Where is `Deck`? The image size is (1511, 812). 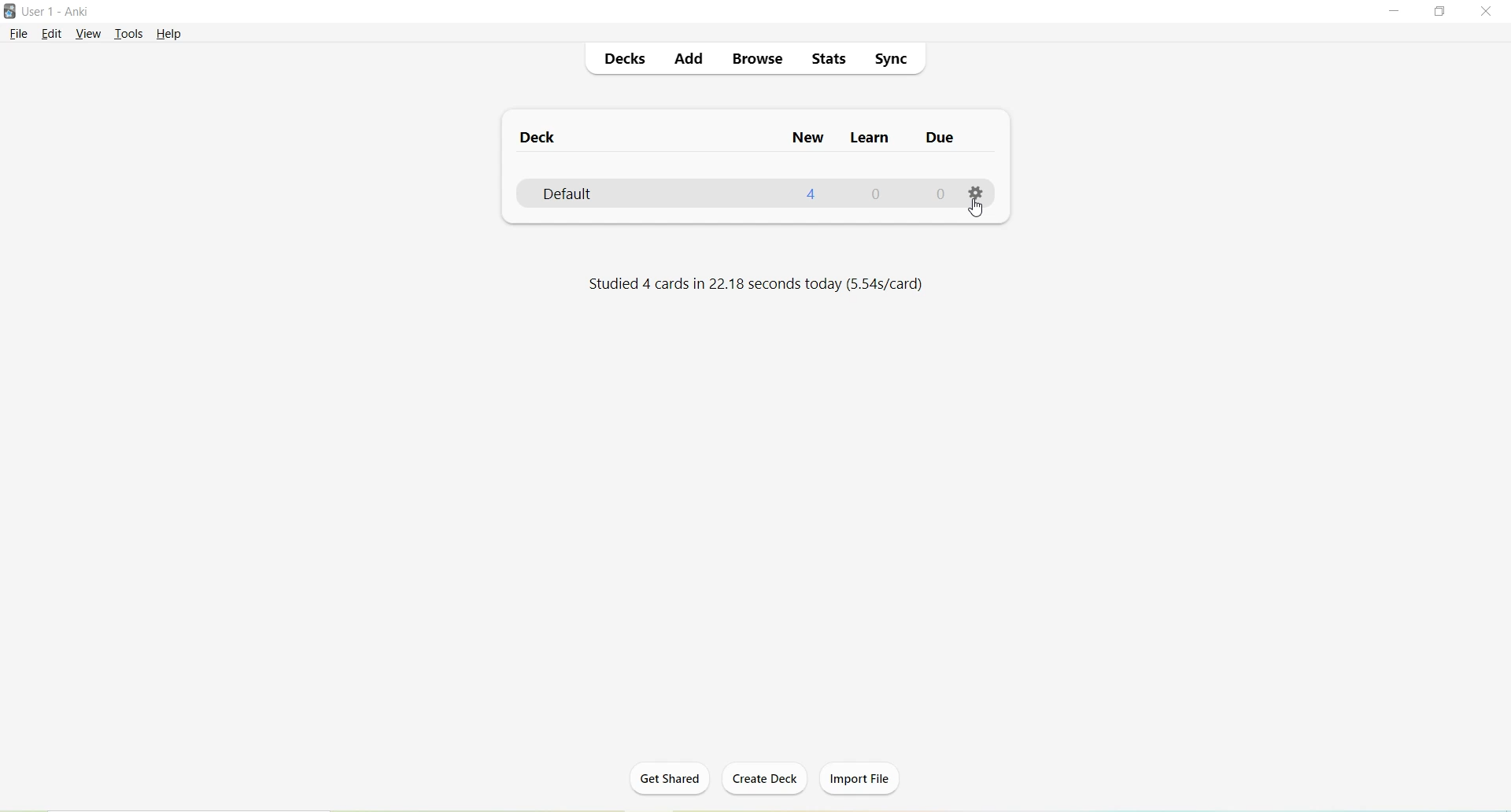 Deck is located at coordinates (540, 136).